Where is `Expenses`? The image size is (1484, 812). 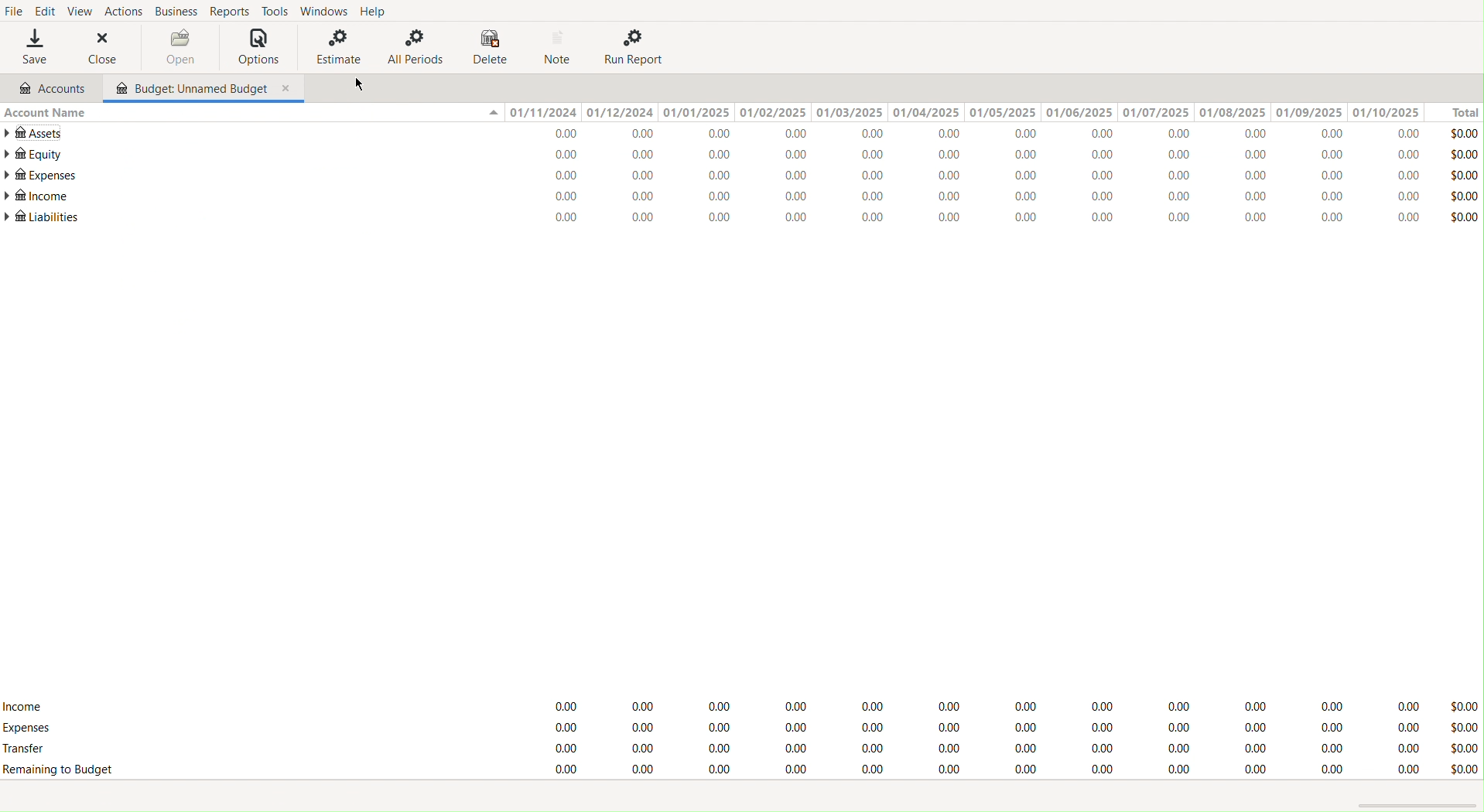 Expenses is located at coordinates (29, 728).